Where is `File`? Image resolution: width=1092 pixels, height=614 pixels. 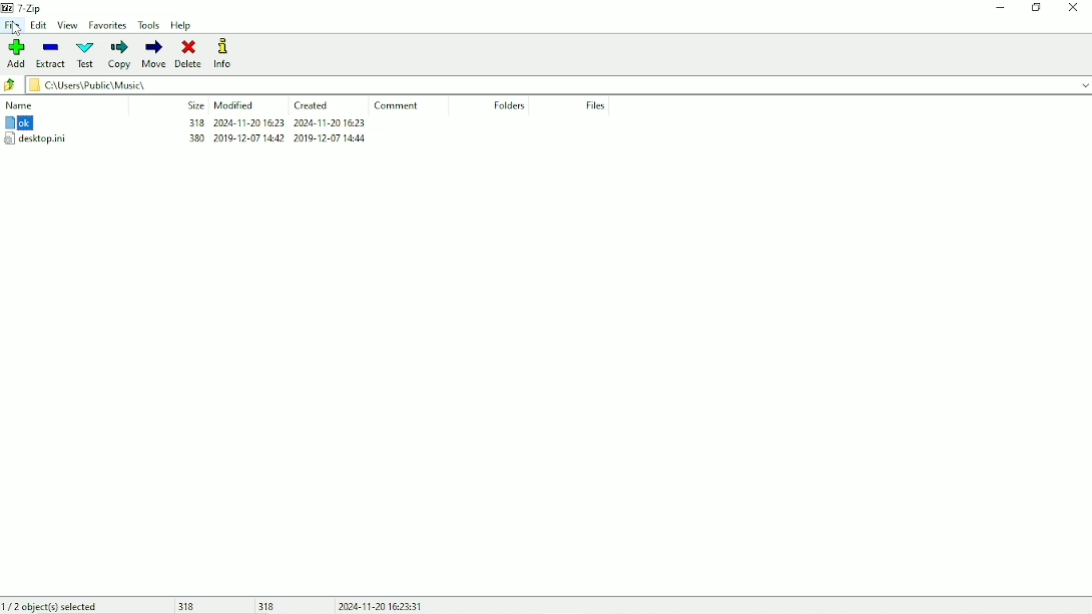
File is located at coordinates (13, 28).